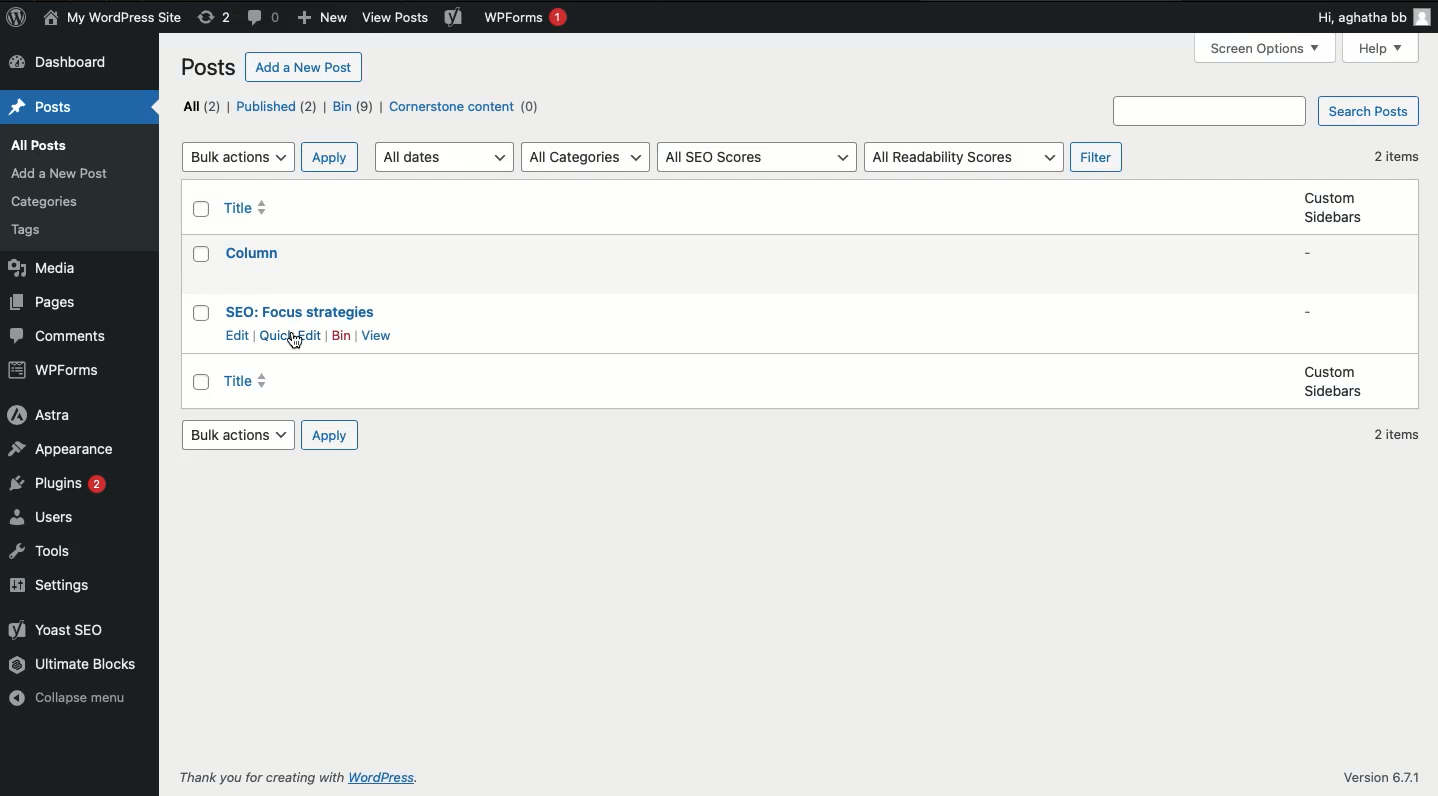  Describe the element at coordinates (40, 144) in the screenshot. I see `Posts` at that location.